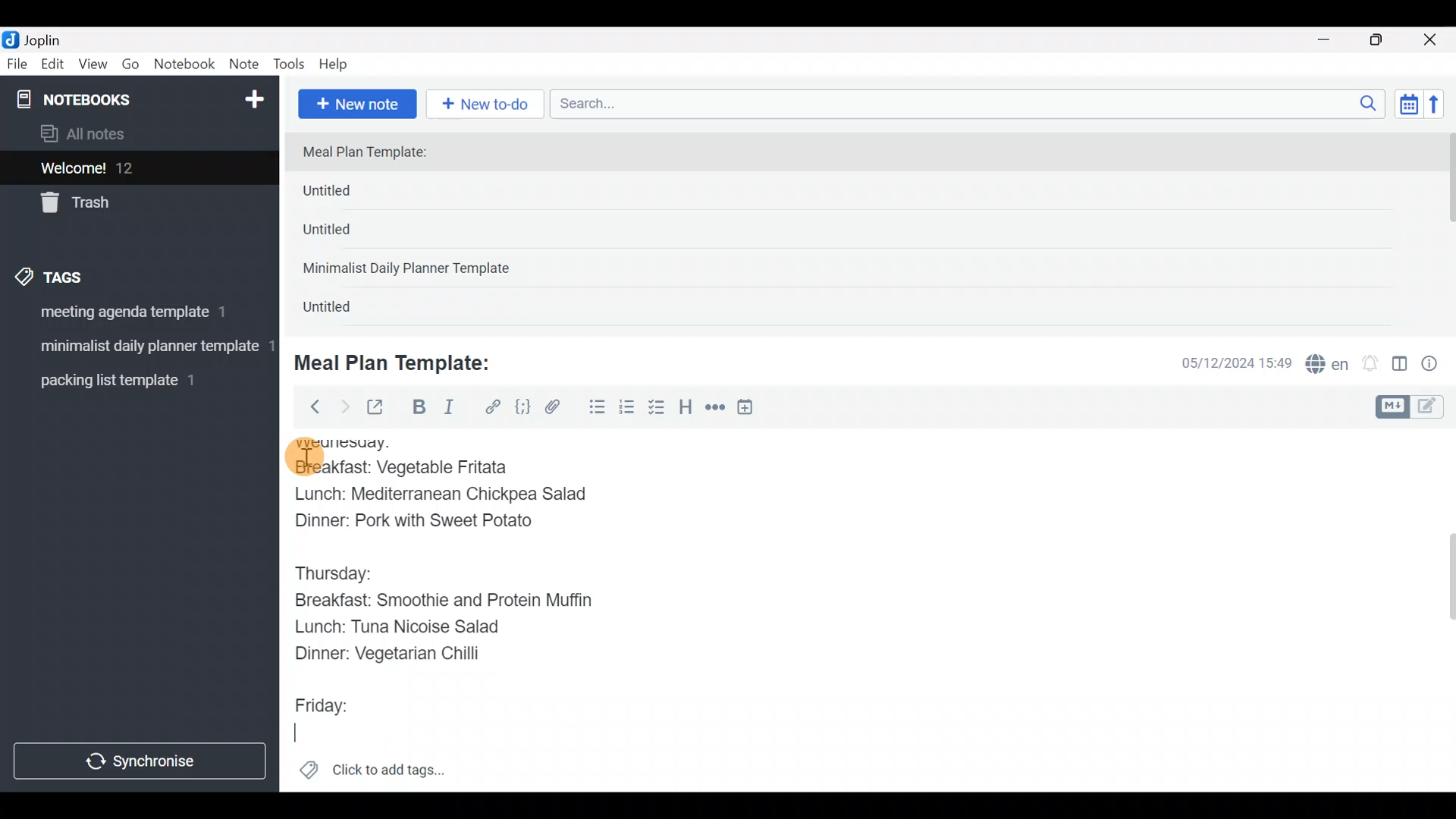  Describe the element at coordinates (488, 105) in the screenshot. I see `New to-do` at that location.